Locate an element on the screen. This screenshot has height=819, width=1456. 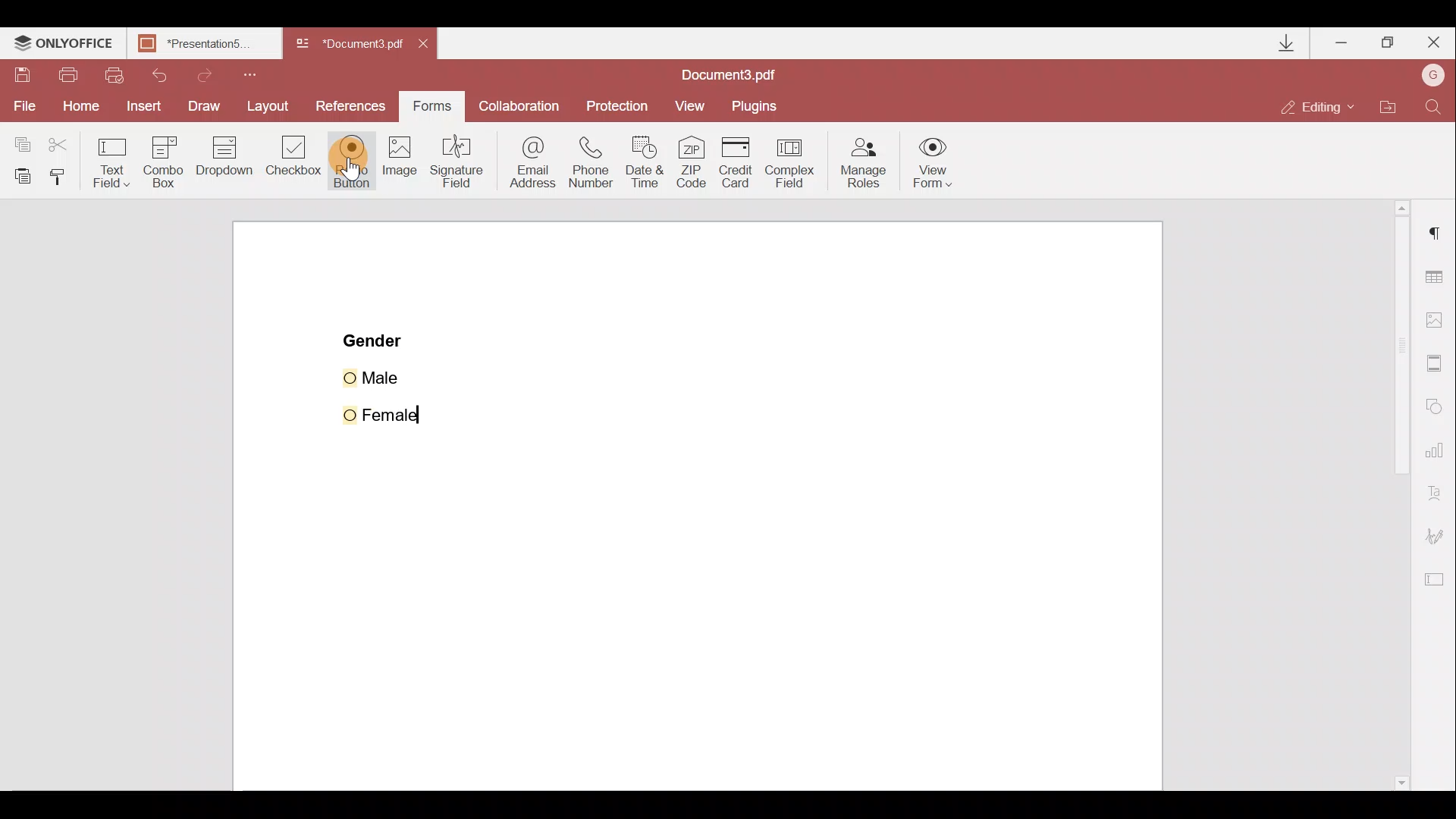
Cut is located at coordinates (58, 142).